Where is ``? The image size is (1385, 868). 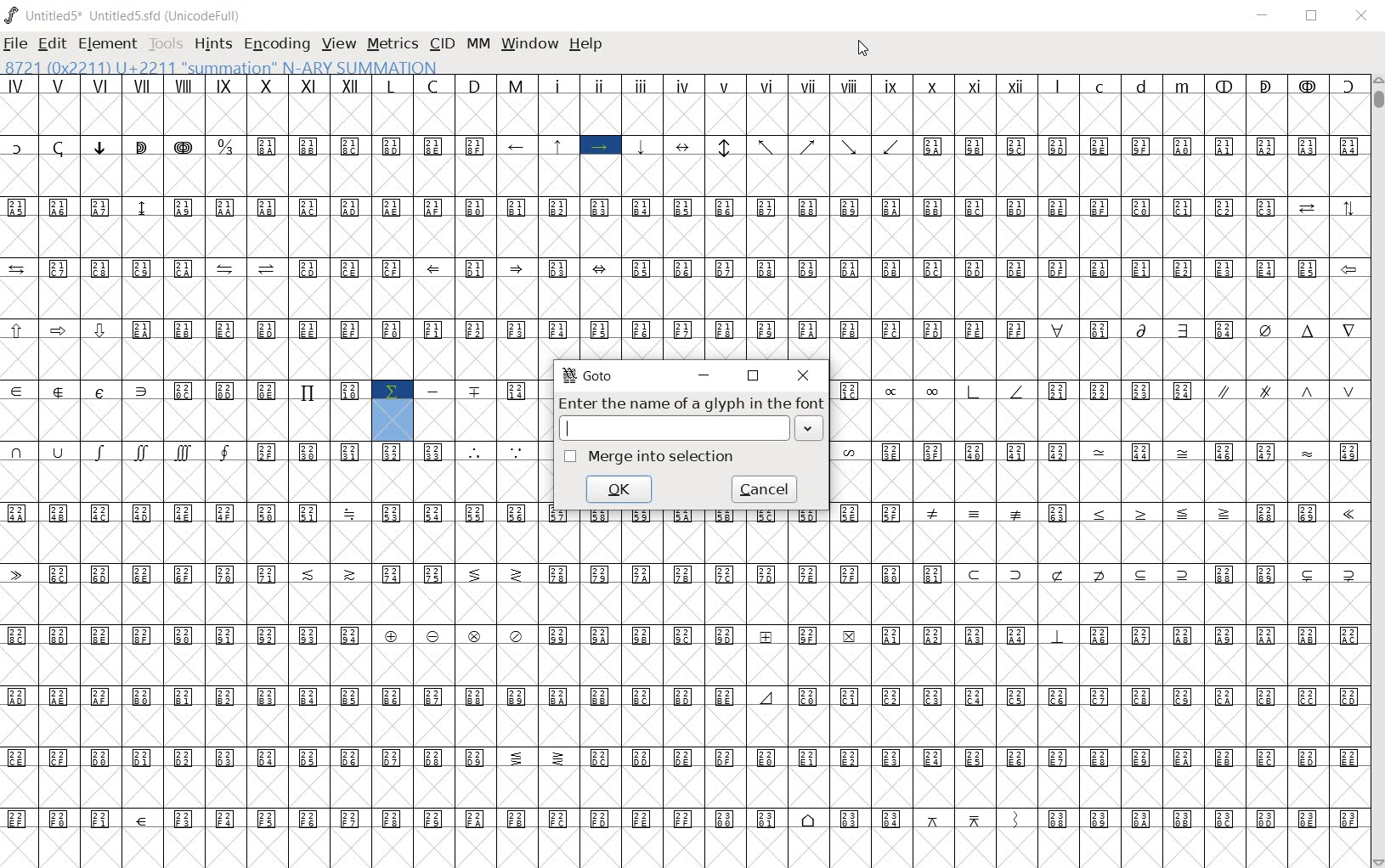
 is located at coordinates (188, 390).